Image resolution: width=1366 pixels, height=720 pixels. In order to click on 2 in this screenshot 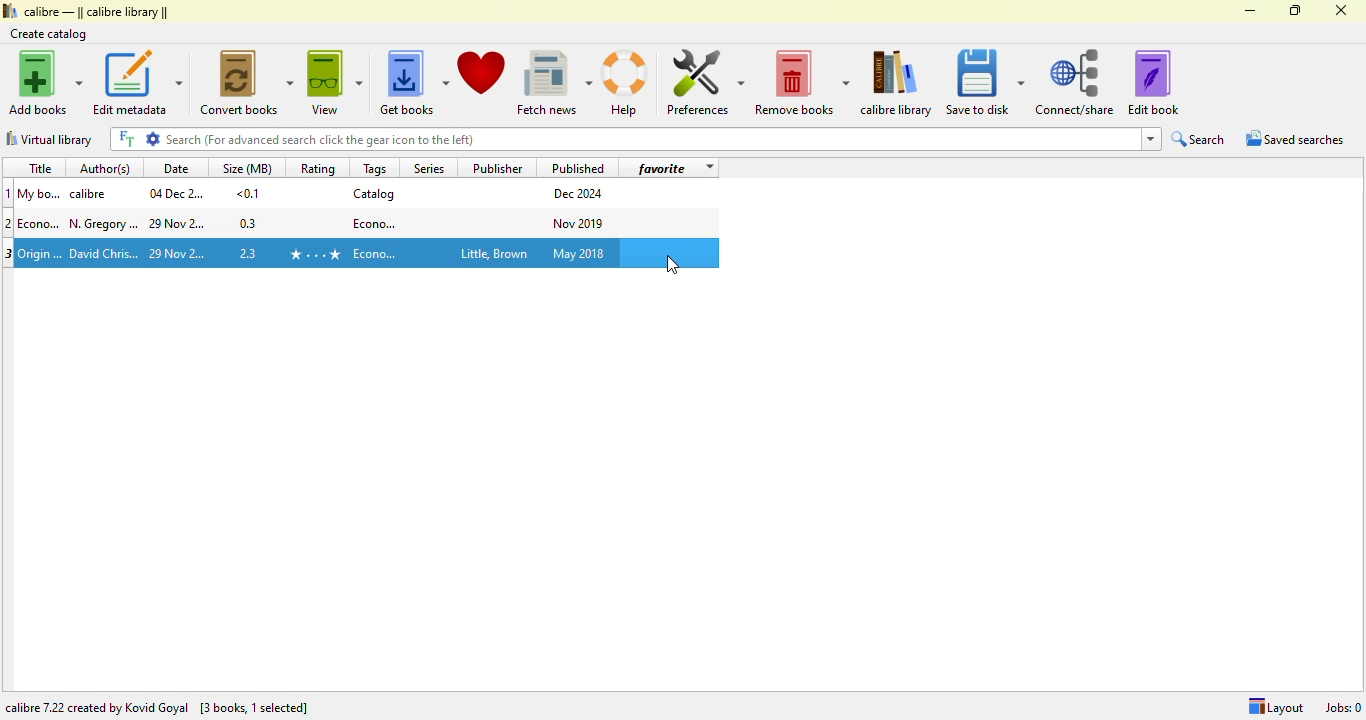, I will do `click(9, 223)`.